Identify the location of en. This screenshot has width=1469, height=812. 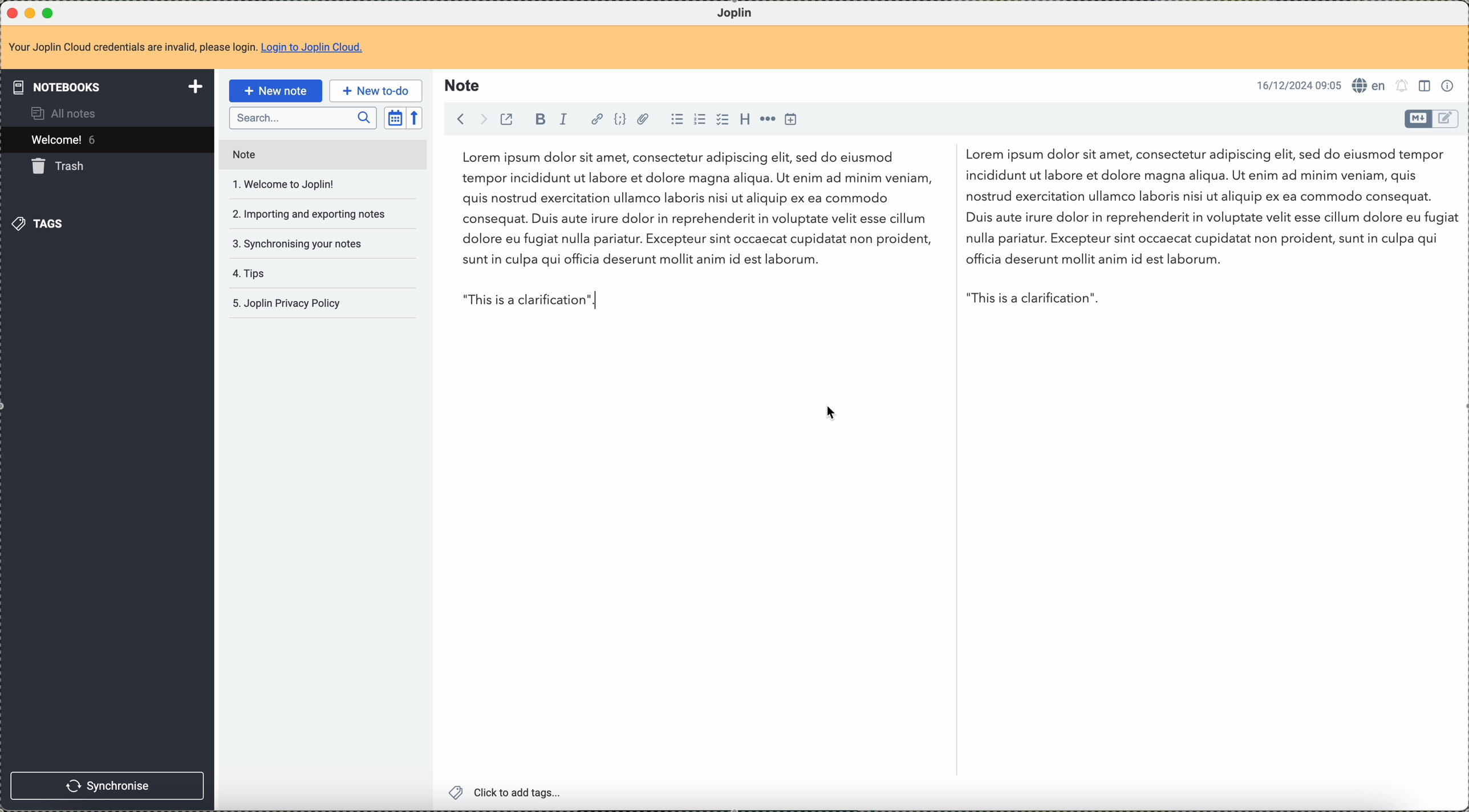
(1371, 86).